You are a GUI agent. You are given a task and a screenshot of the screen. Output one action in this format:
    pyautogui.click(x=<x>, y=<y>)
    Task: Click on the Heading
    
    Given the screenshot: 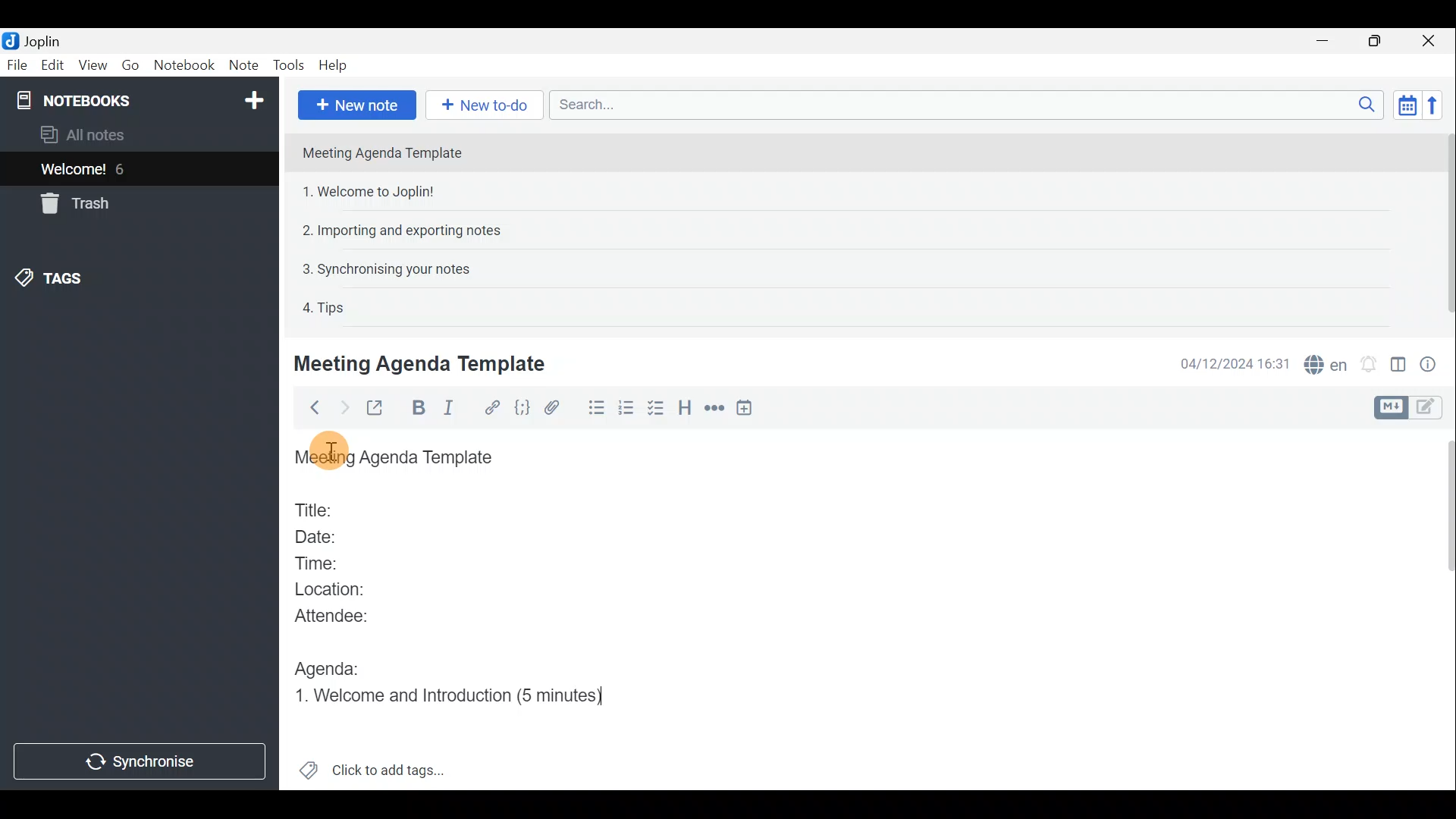 What is the action you would take?
    pyautogui.click(x=685, y=413)
    